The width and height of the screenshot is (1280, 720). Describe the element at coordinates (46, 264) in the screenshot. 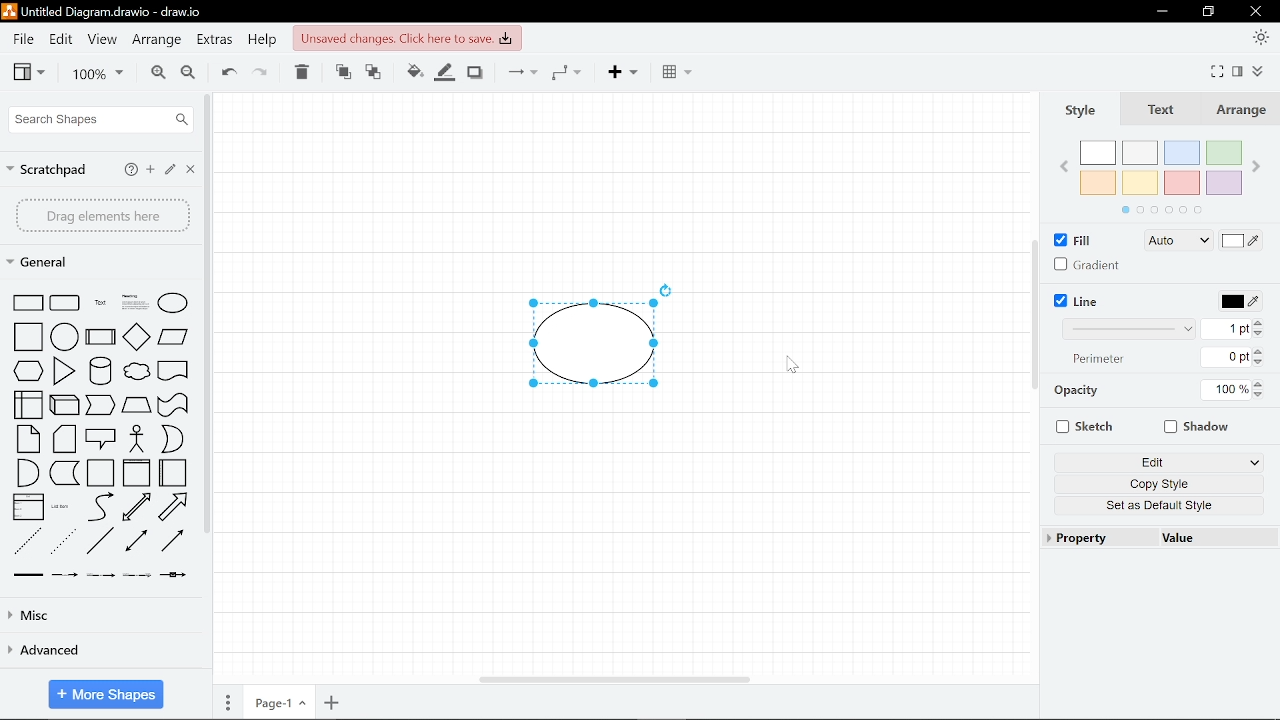

I see `General ` at that location.